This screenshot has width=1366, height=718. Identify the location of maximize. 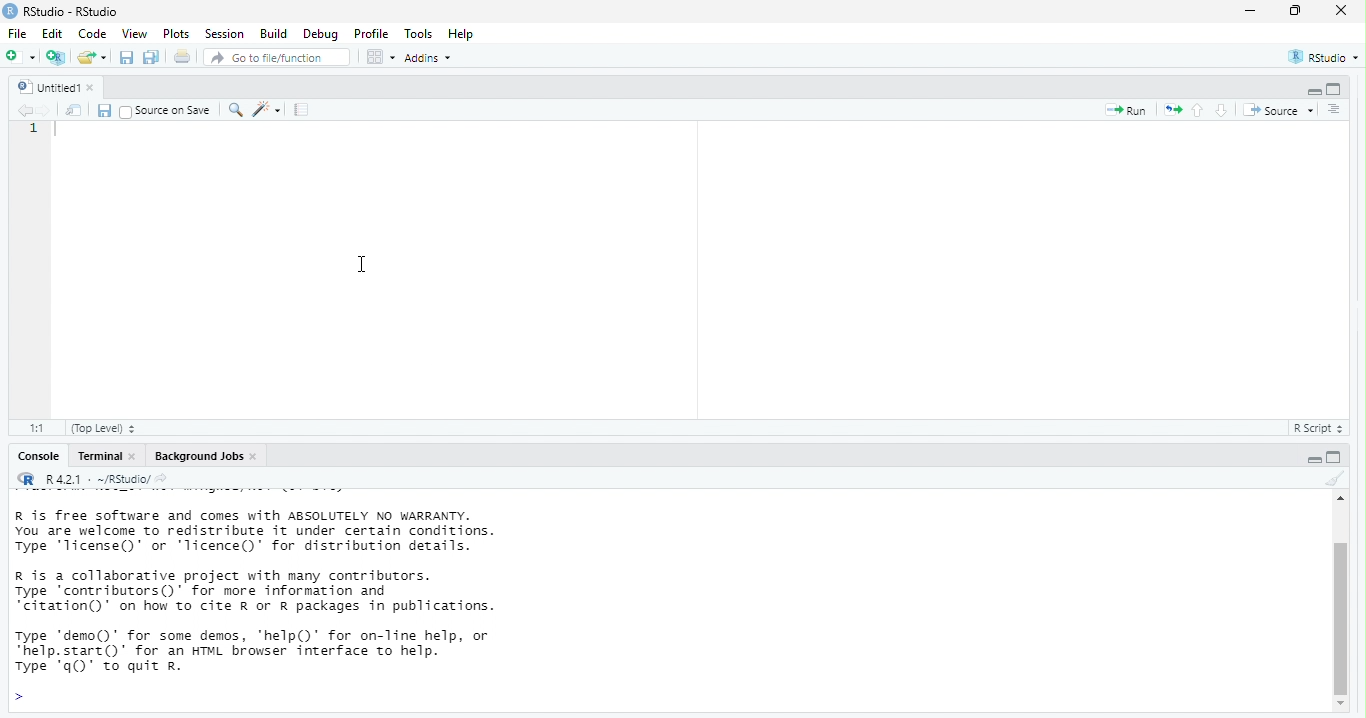
(1342, 86).